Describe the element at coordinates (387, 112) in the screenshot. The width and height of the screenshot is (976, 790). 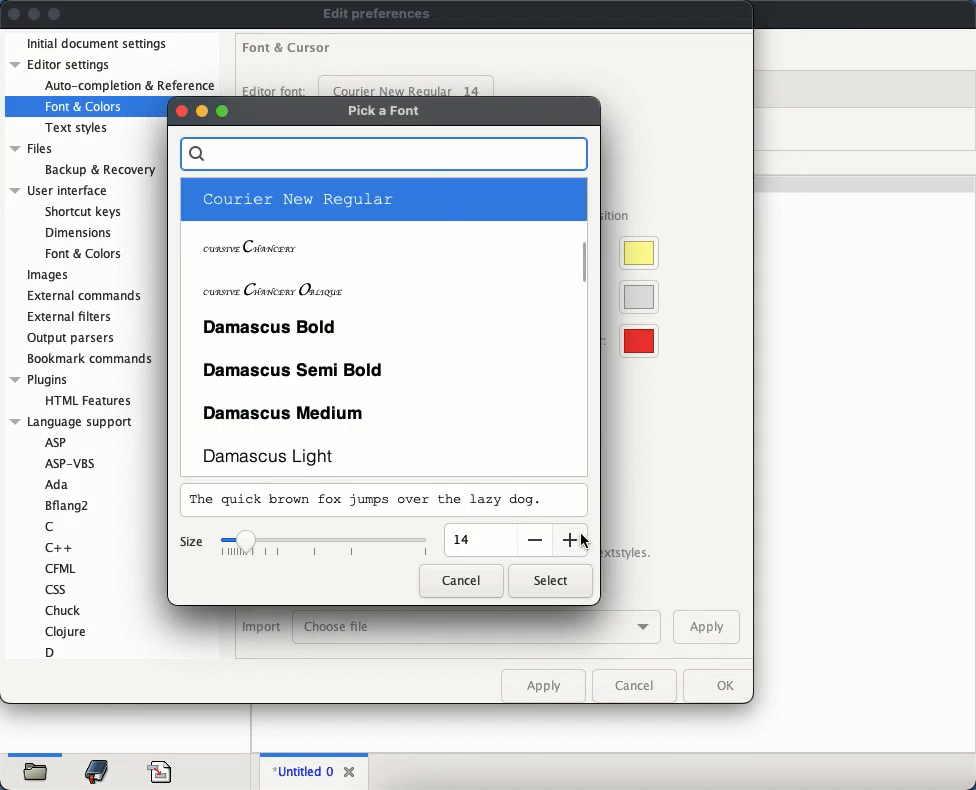
I see `pick a font` at that location.